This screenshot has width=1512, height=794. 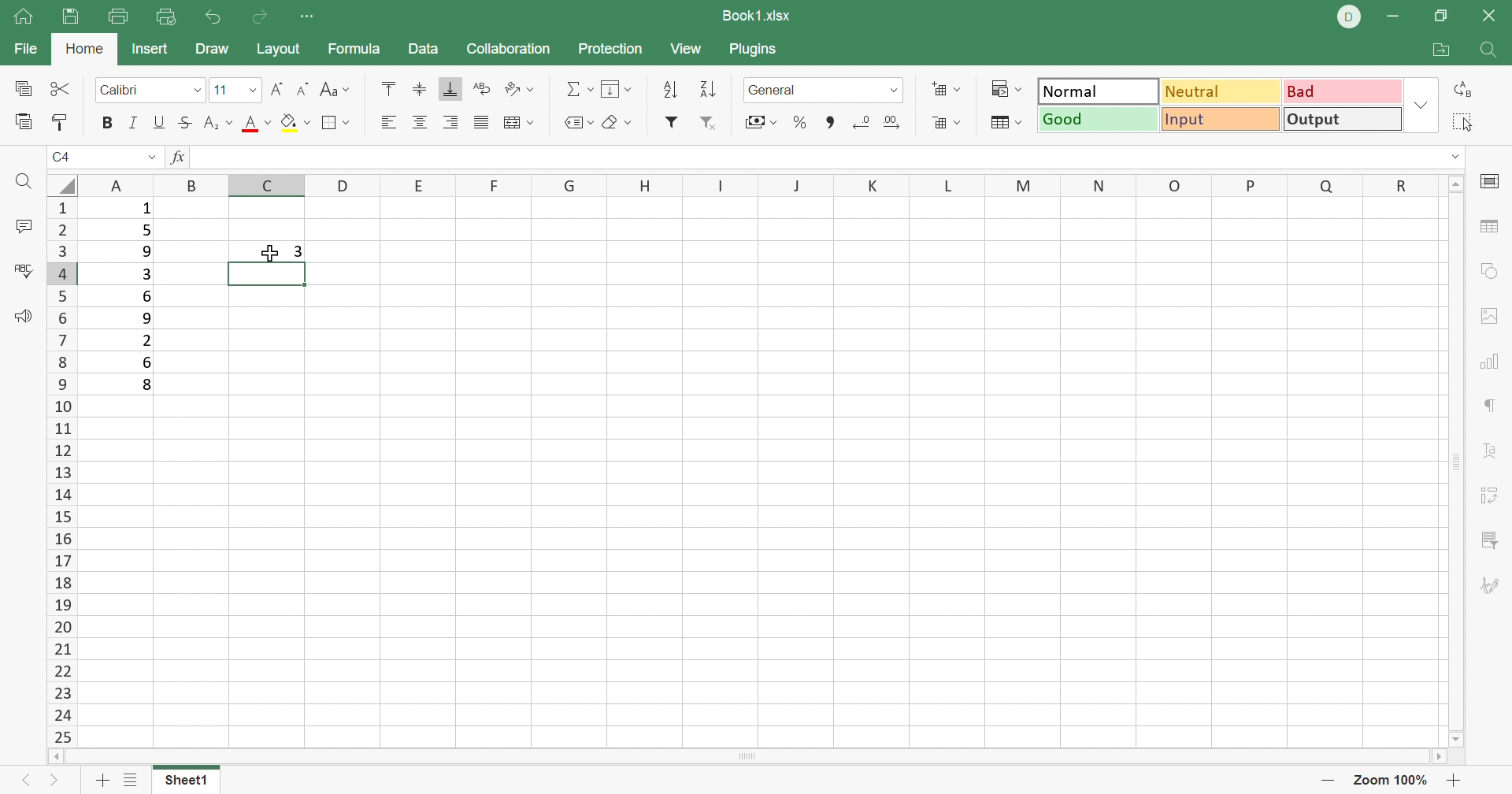 What do you see at coordinates (147, 49) in the screenshot?
I see `Insert` at bounding box center [147, 49].